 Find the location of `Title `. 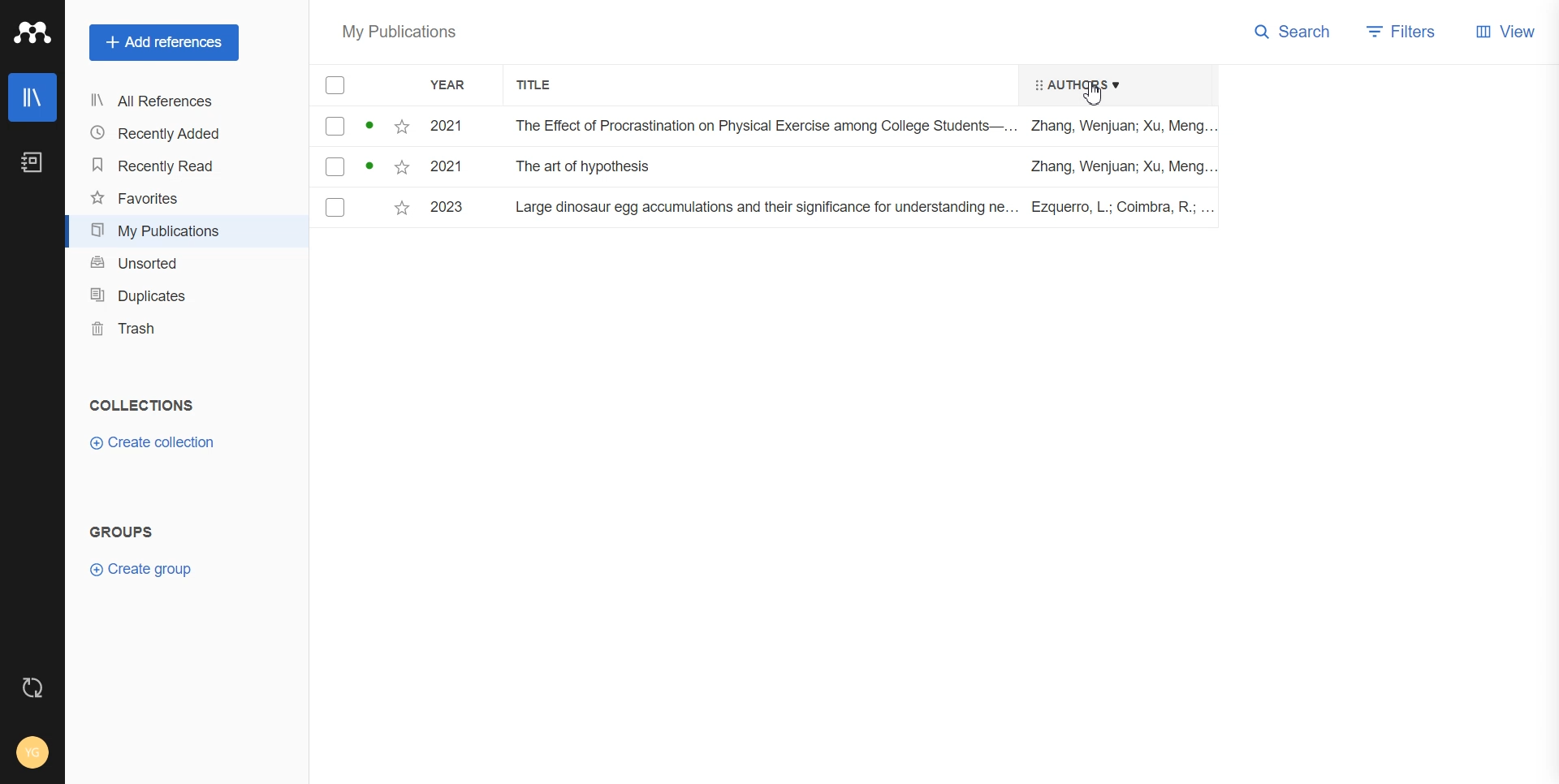

Title  is located at coordinates (543, 85).